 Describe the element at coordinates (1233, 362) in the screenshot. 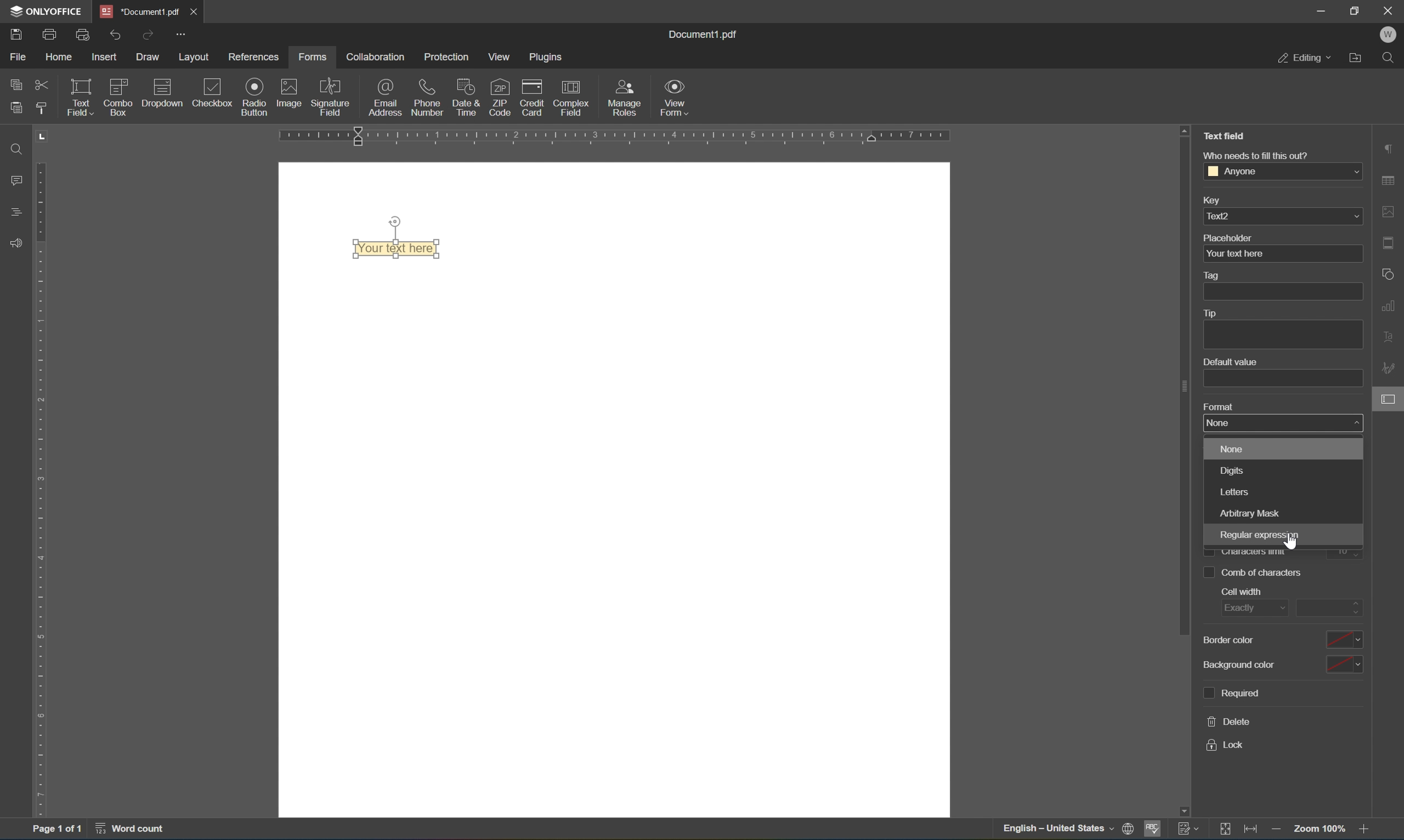

I see `default value` at that location.